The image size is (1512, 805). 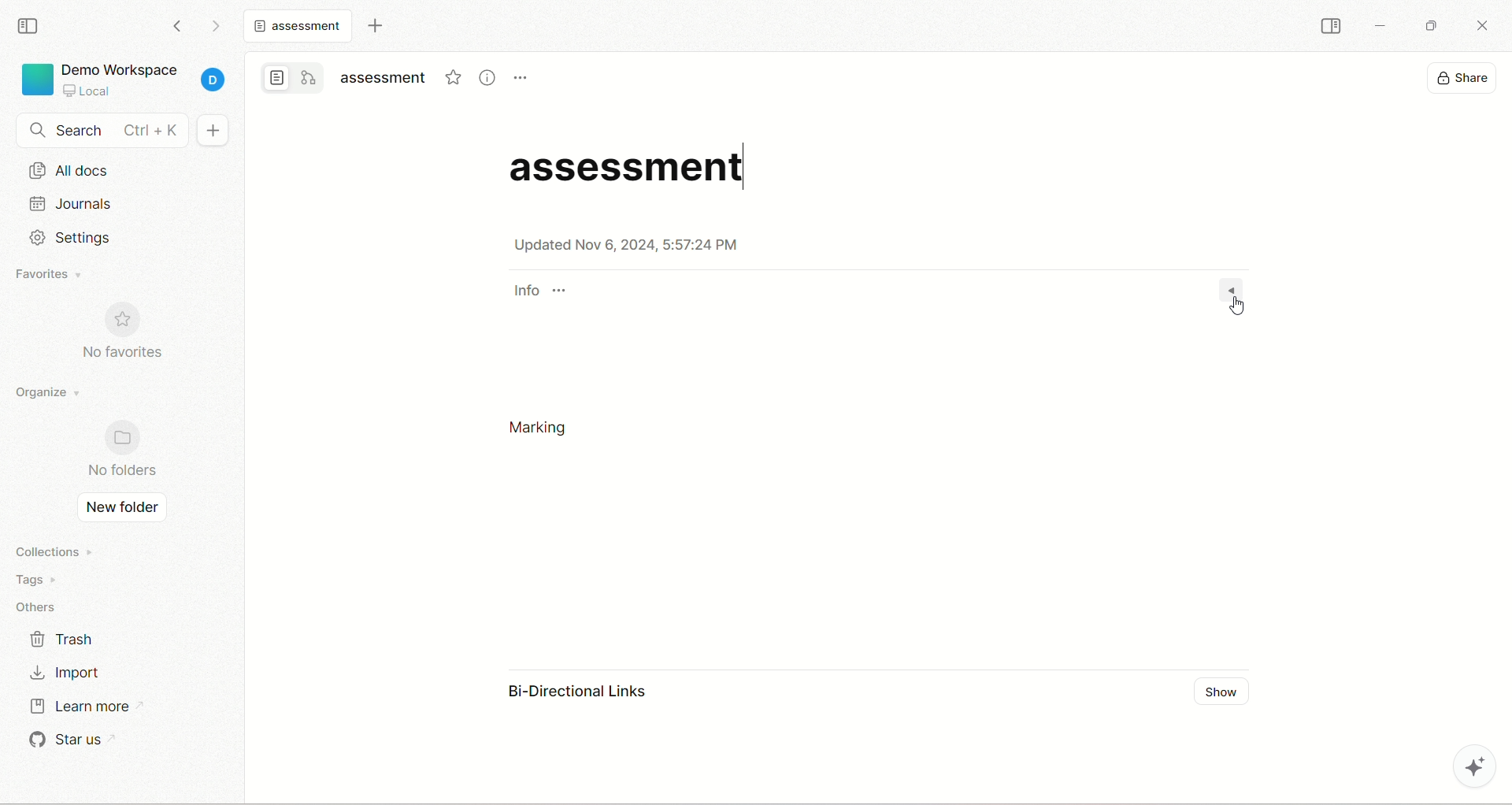 I want to click on new doc, so click(x=211, y=130).